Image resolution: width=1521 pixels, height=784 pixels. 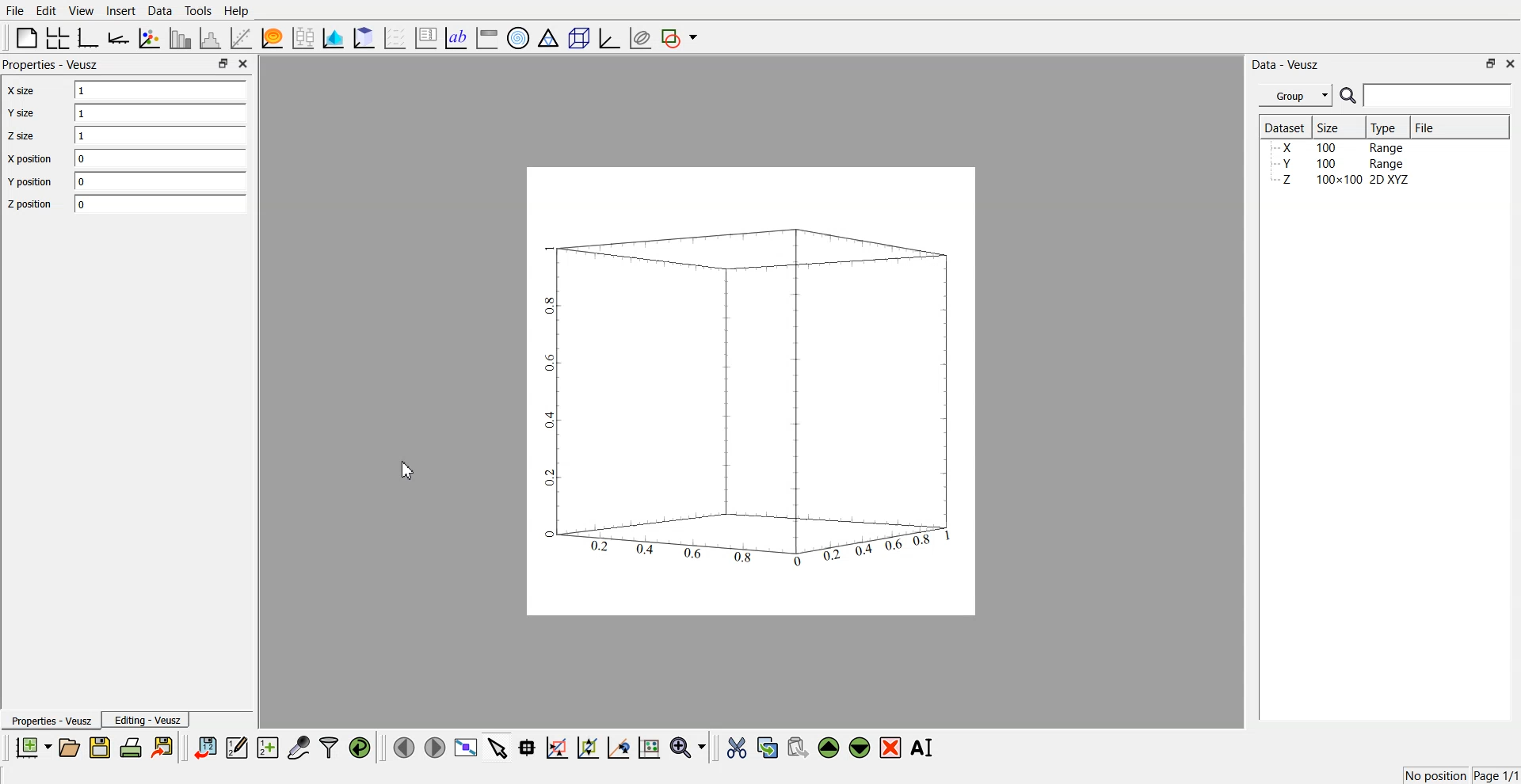 What do you see at coordinates (1386, 127) in the screenshot?
I see `Type` at bounding box center [1386, 127].